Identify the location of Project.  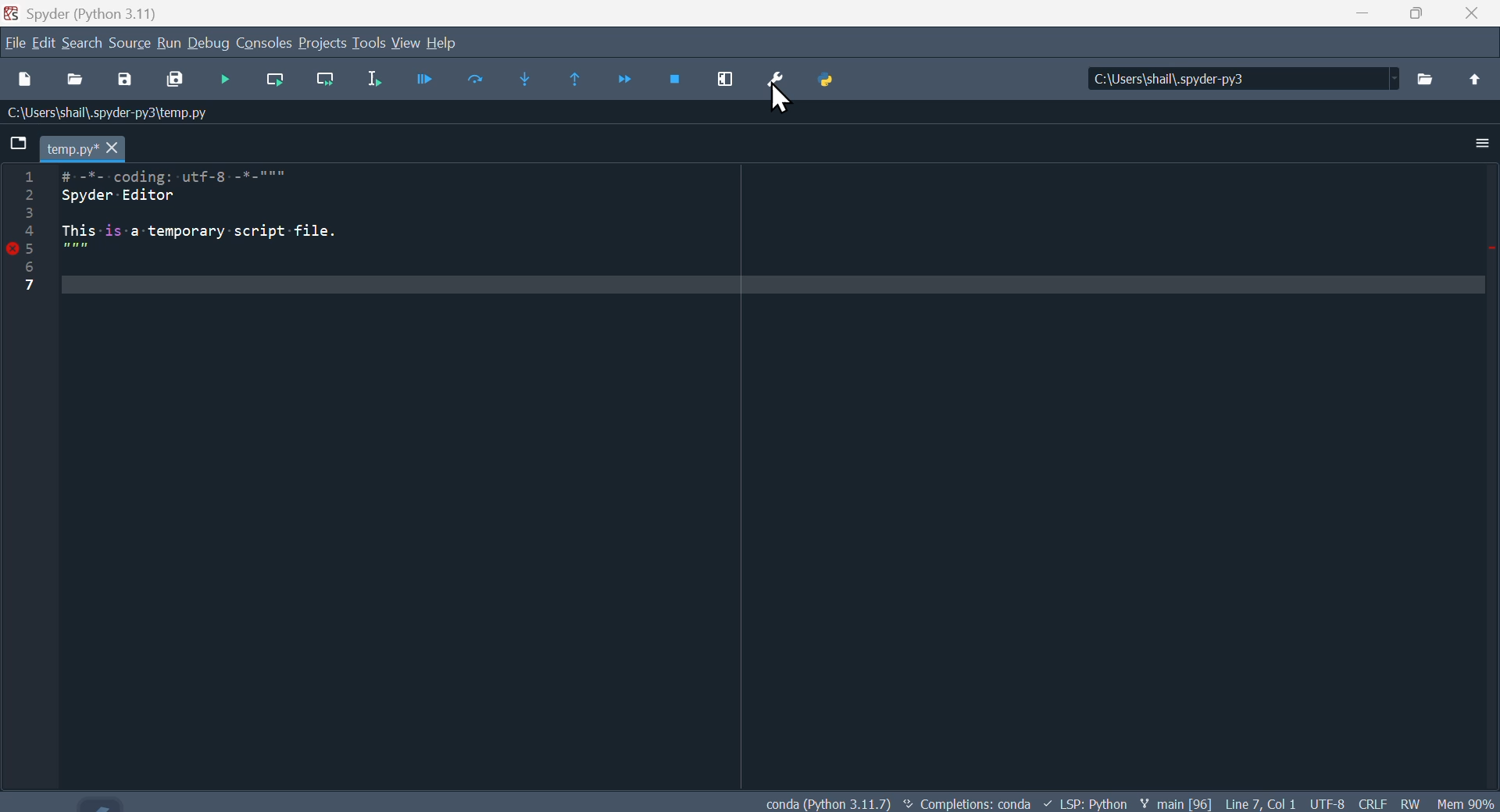
(323, 45).